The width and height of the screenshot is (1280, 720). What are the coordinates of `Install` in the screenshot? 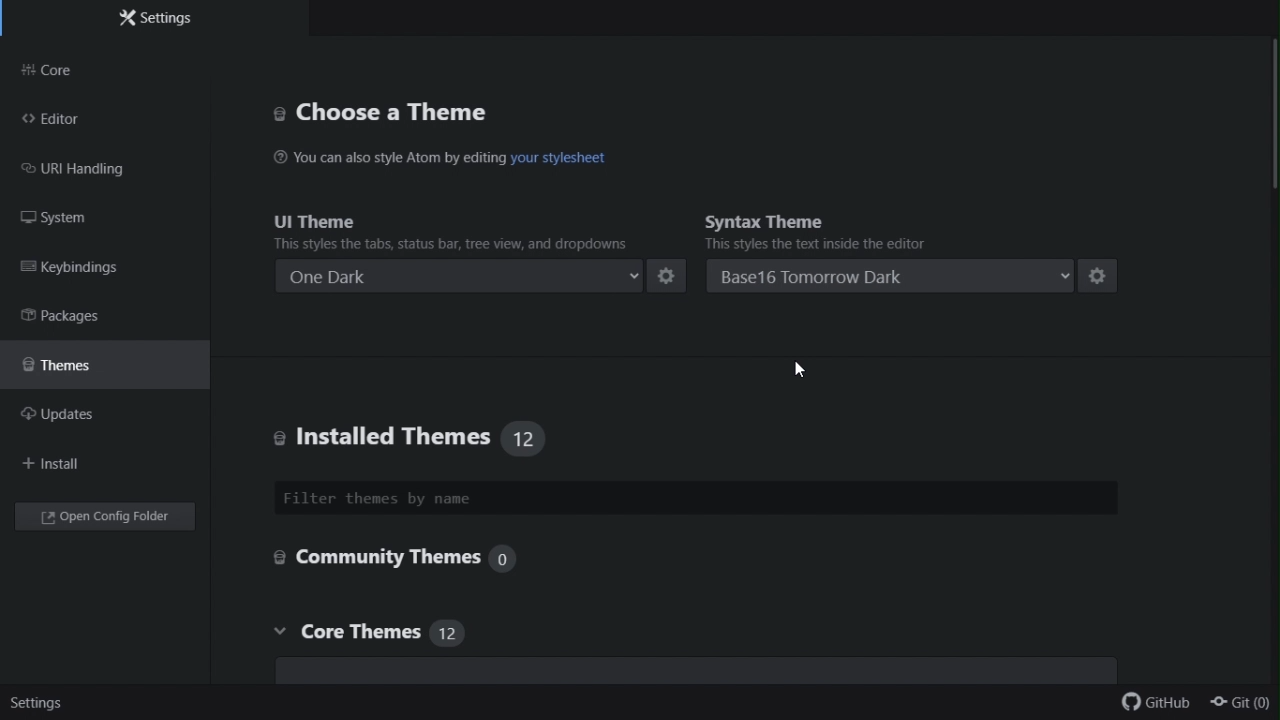 It's located at (66, 461).